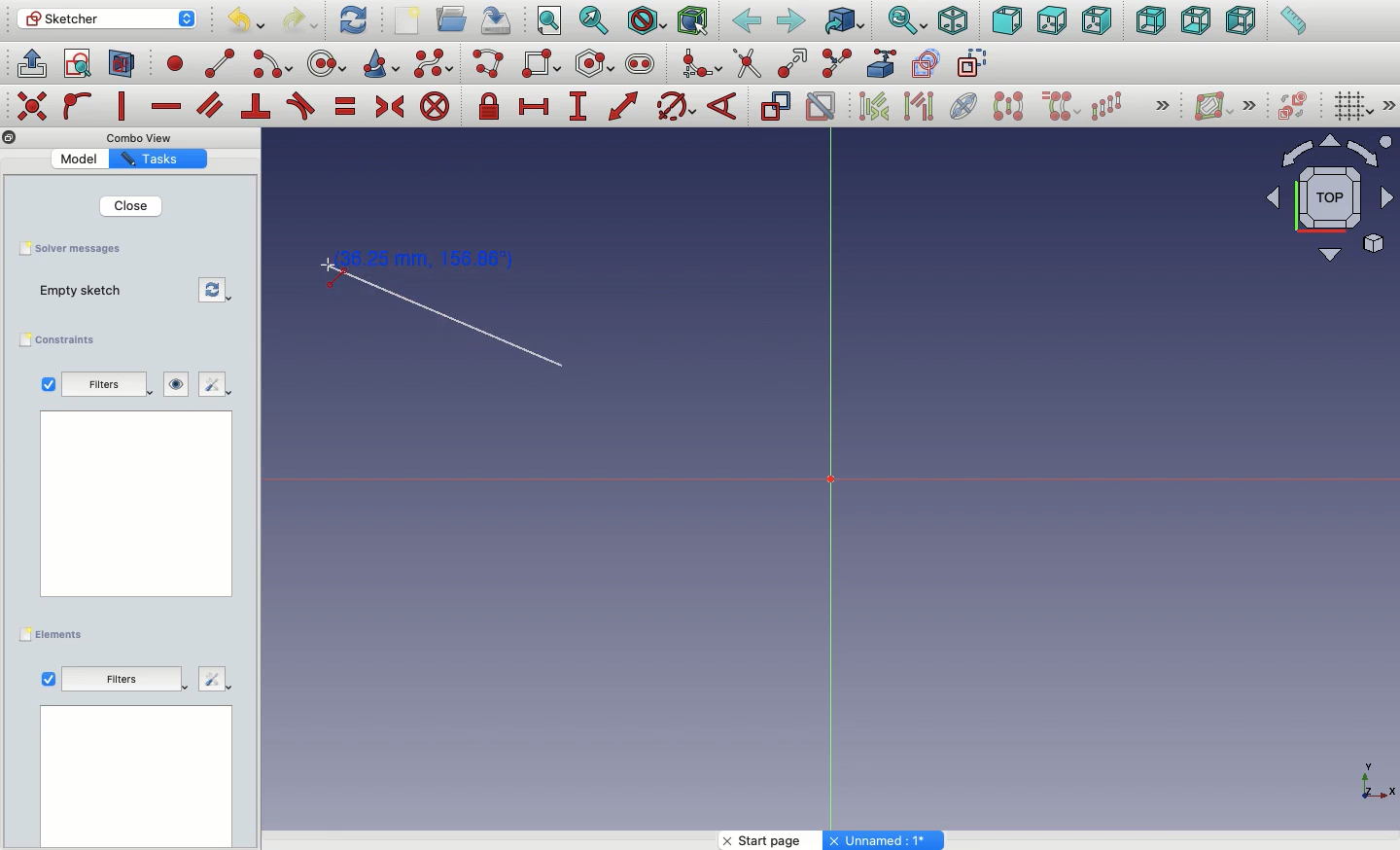 The image size is (1400, 850). I want to click on Right, so click(1098, 22).